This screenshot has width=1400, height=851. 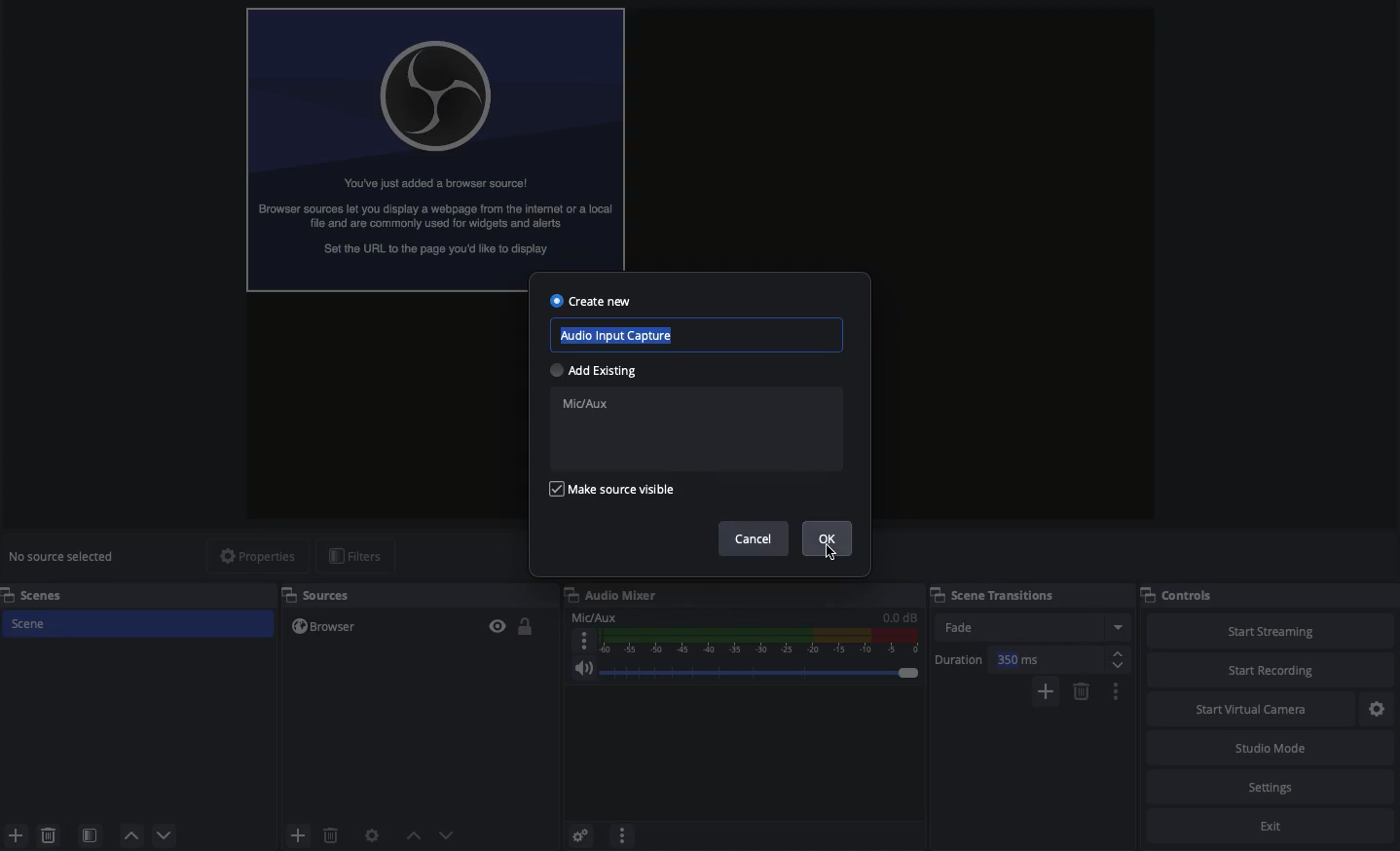 What do you see at coordinates (166, 834) in the screenshot?
I see `Down` at bounding box center [166, 834].